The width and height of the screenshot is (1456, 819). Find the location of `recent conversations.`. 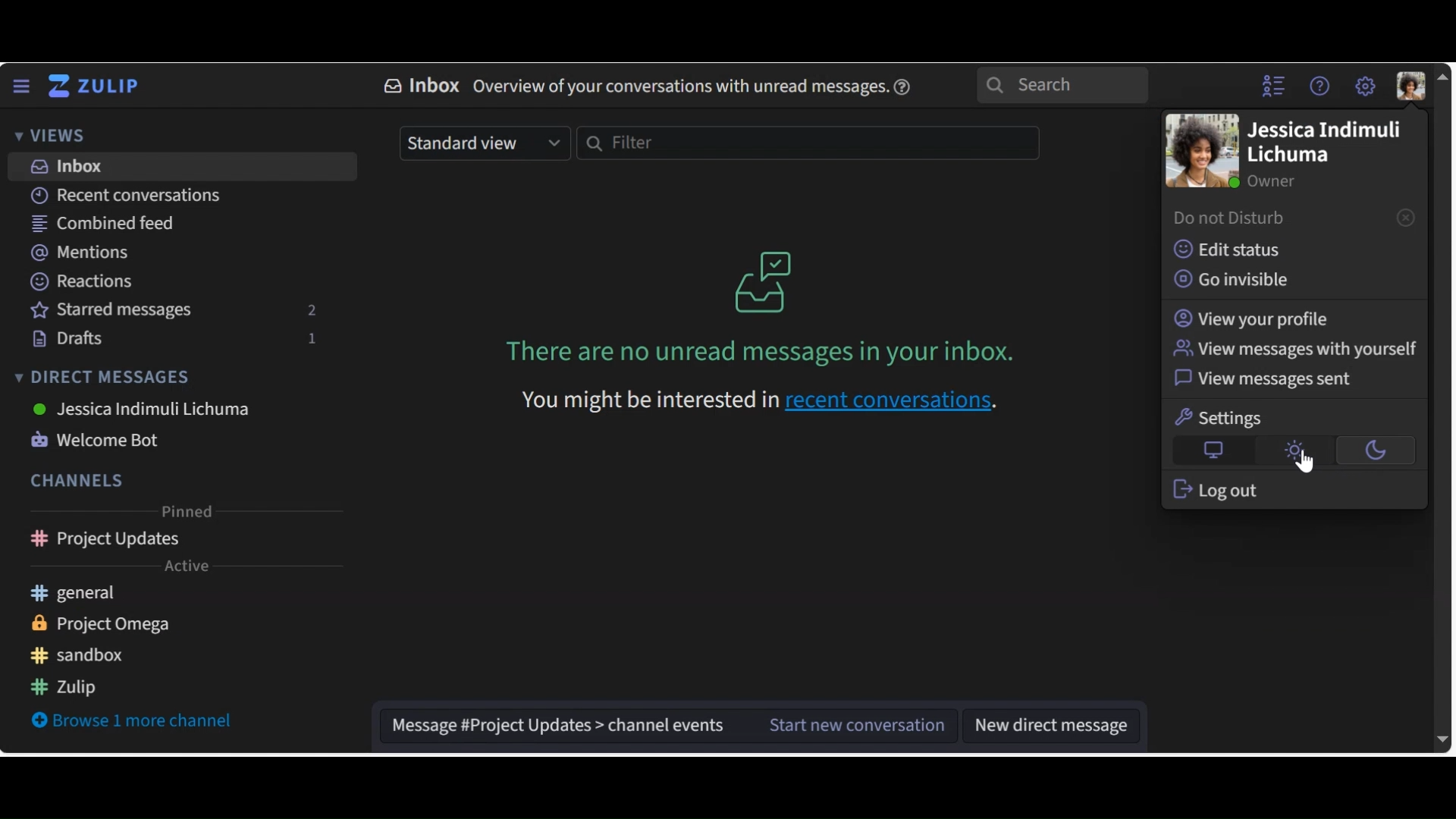

recent conversations. is located at coordinates (899, 404).